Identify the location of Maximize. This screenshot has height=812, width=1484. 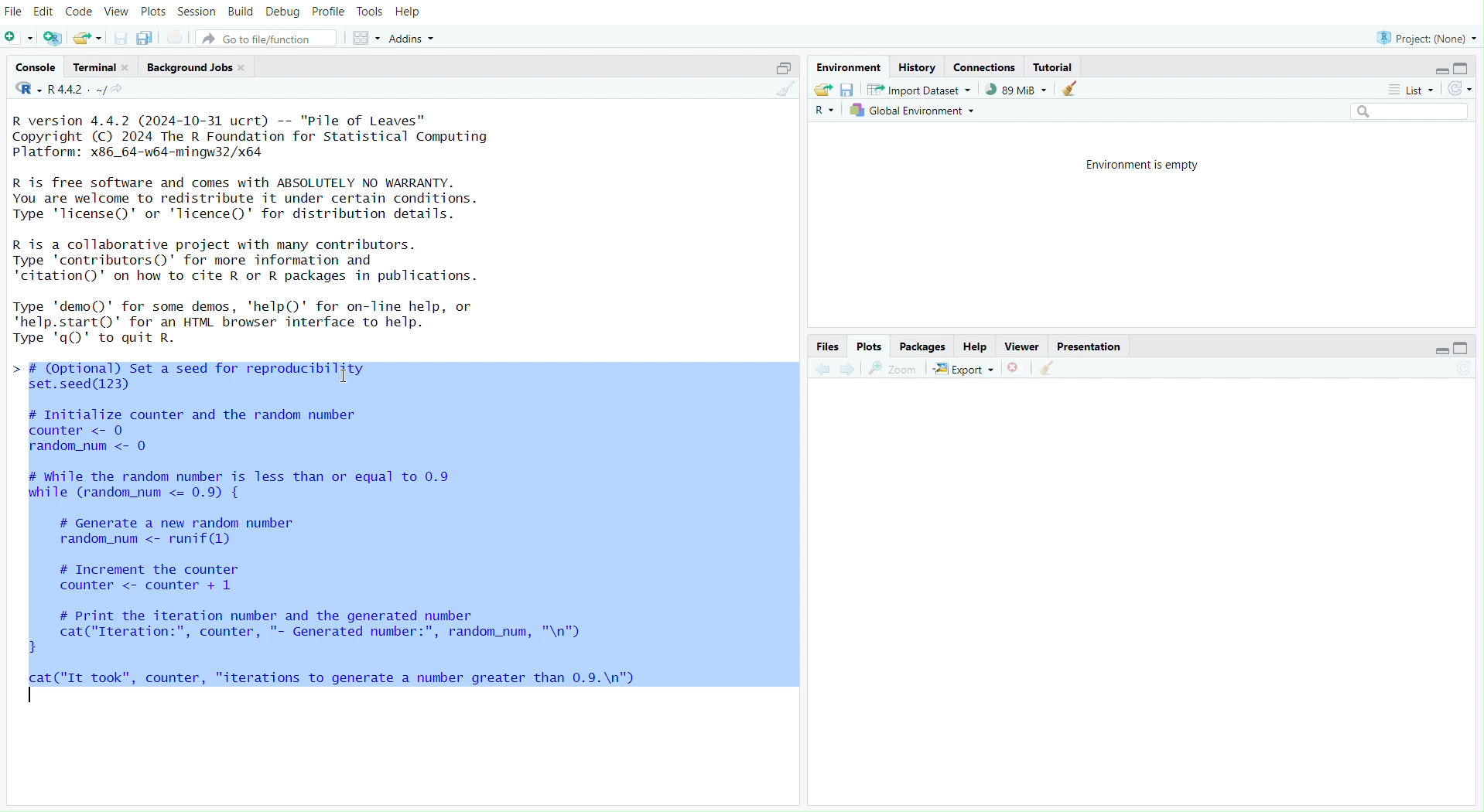
(1464, 346).